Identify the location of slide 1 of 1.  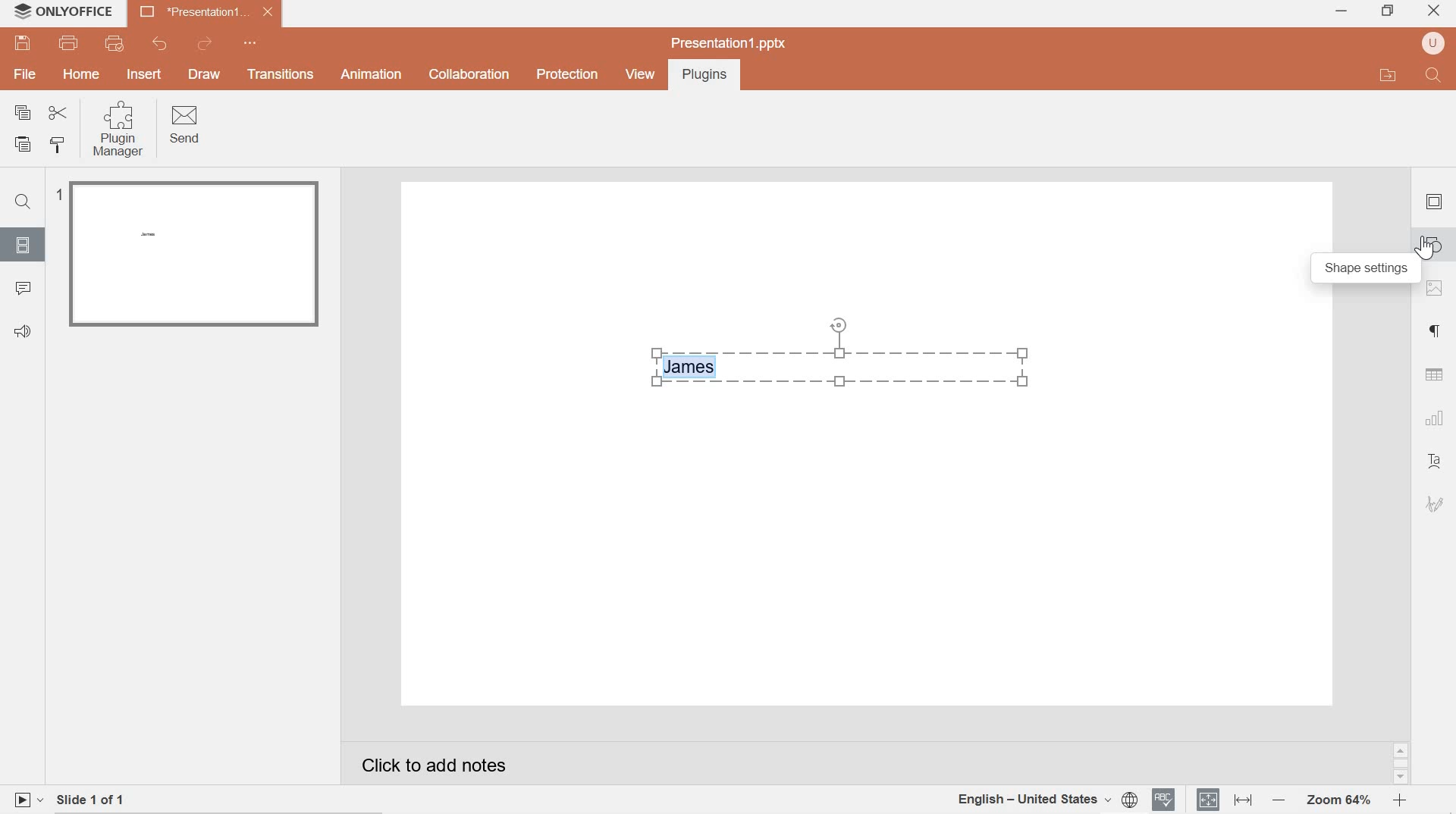
(104, 797).